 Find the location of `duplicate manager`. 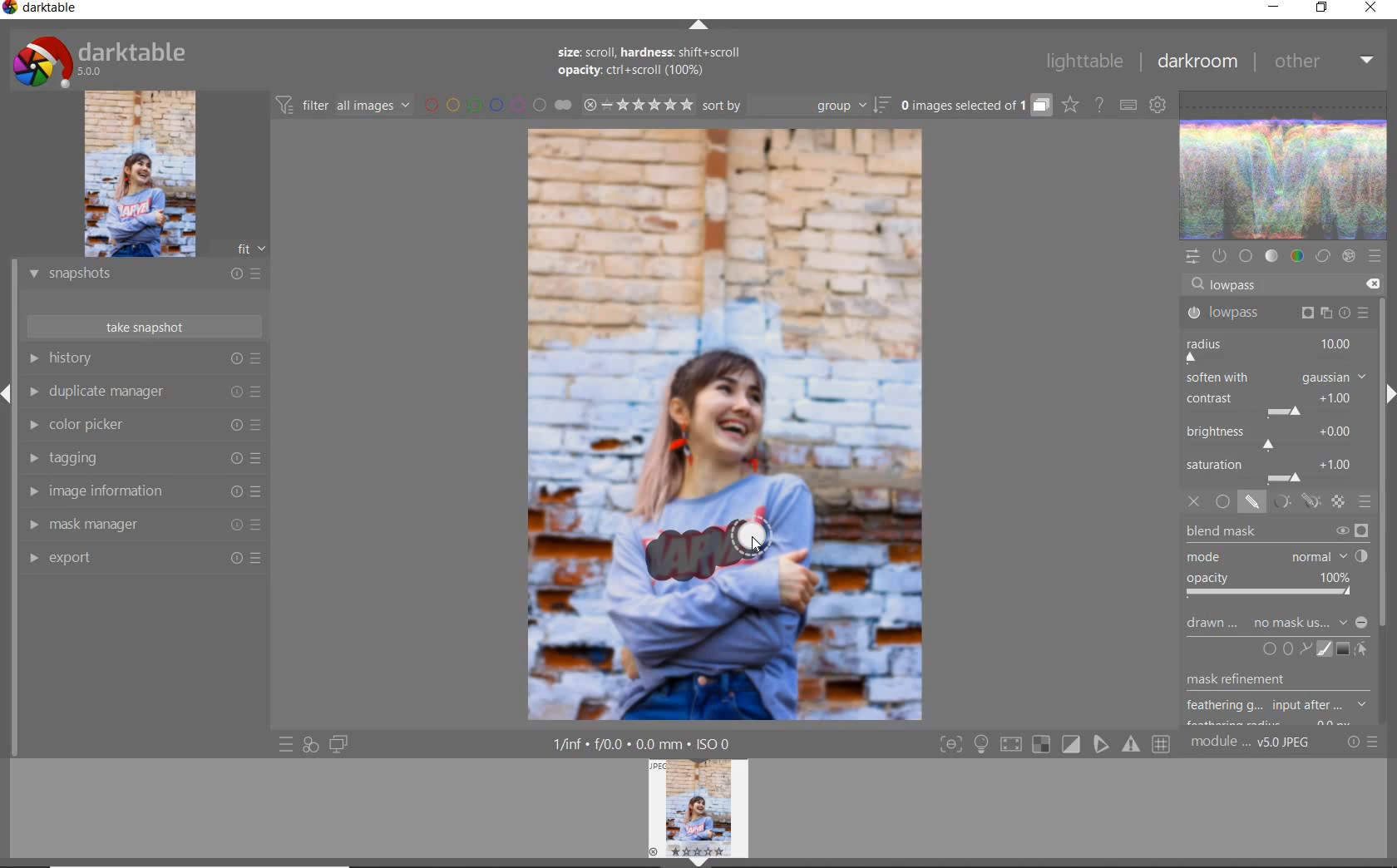

duplicate manager is located at coordinates (146, 393).